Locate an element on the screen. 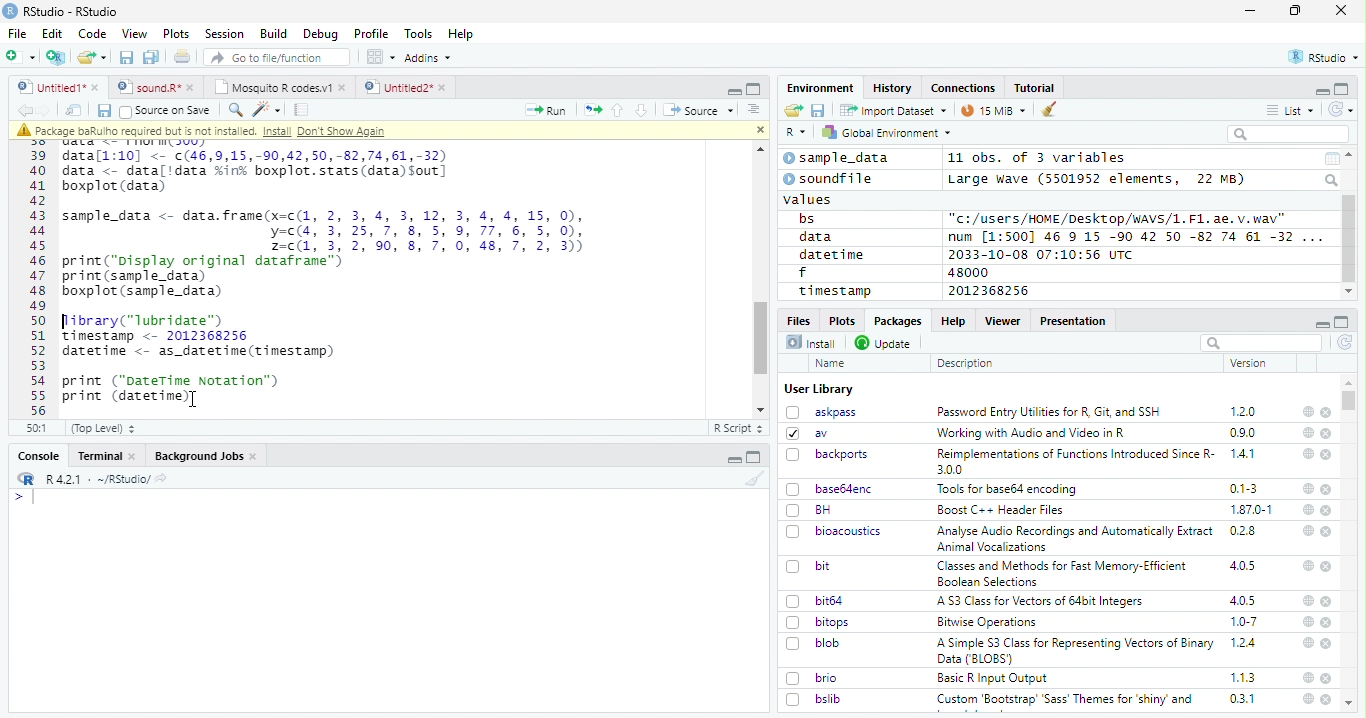 The height and width of the screenshot is (718, 1366). BH is located at coordinates (811, 510).